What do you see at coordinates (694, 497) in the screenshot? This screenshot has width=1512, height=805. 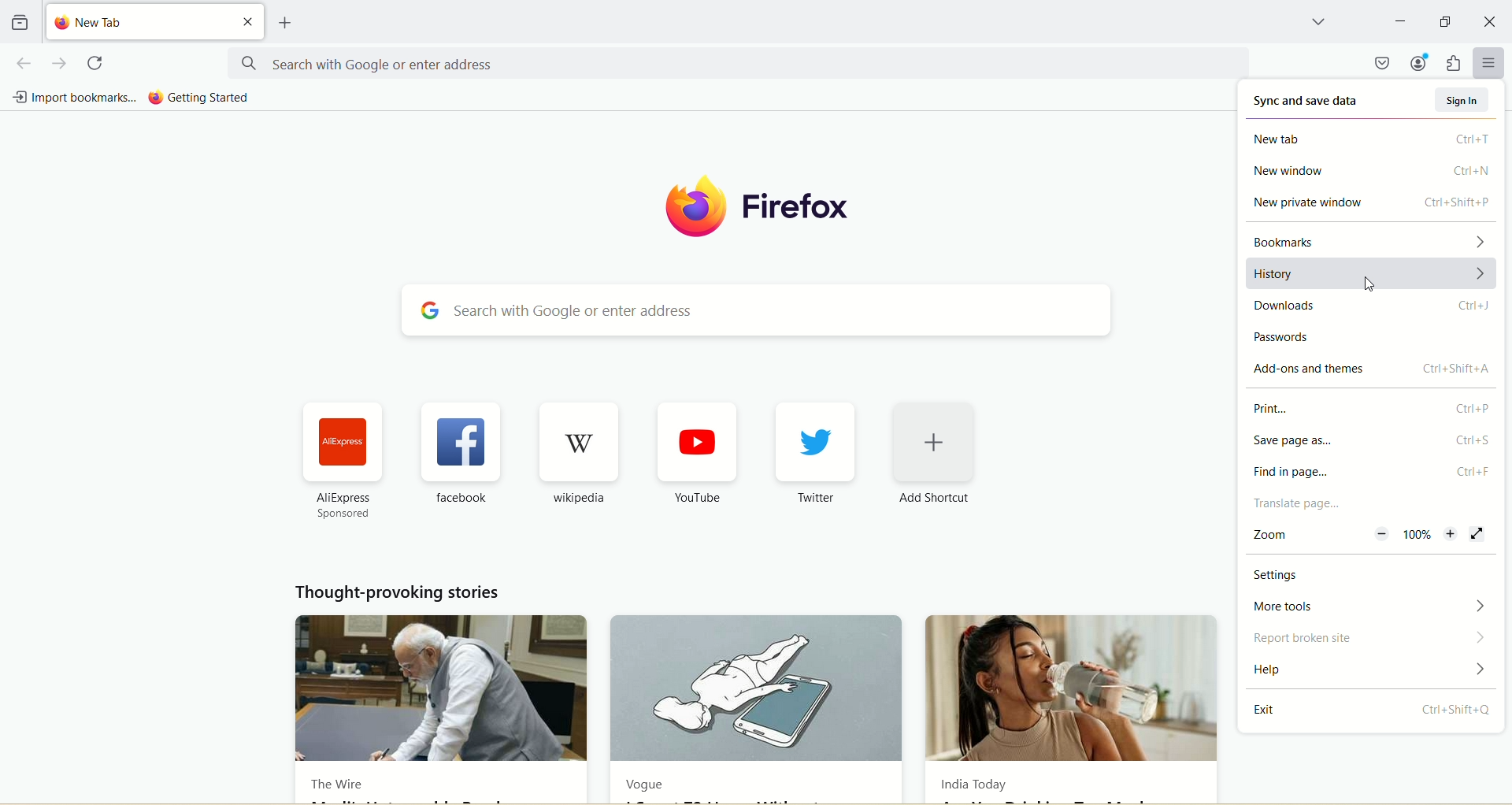 I see `YouTube` at bounding box center [694, 497].